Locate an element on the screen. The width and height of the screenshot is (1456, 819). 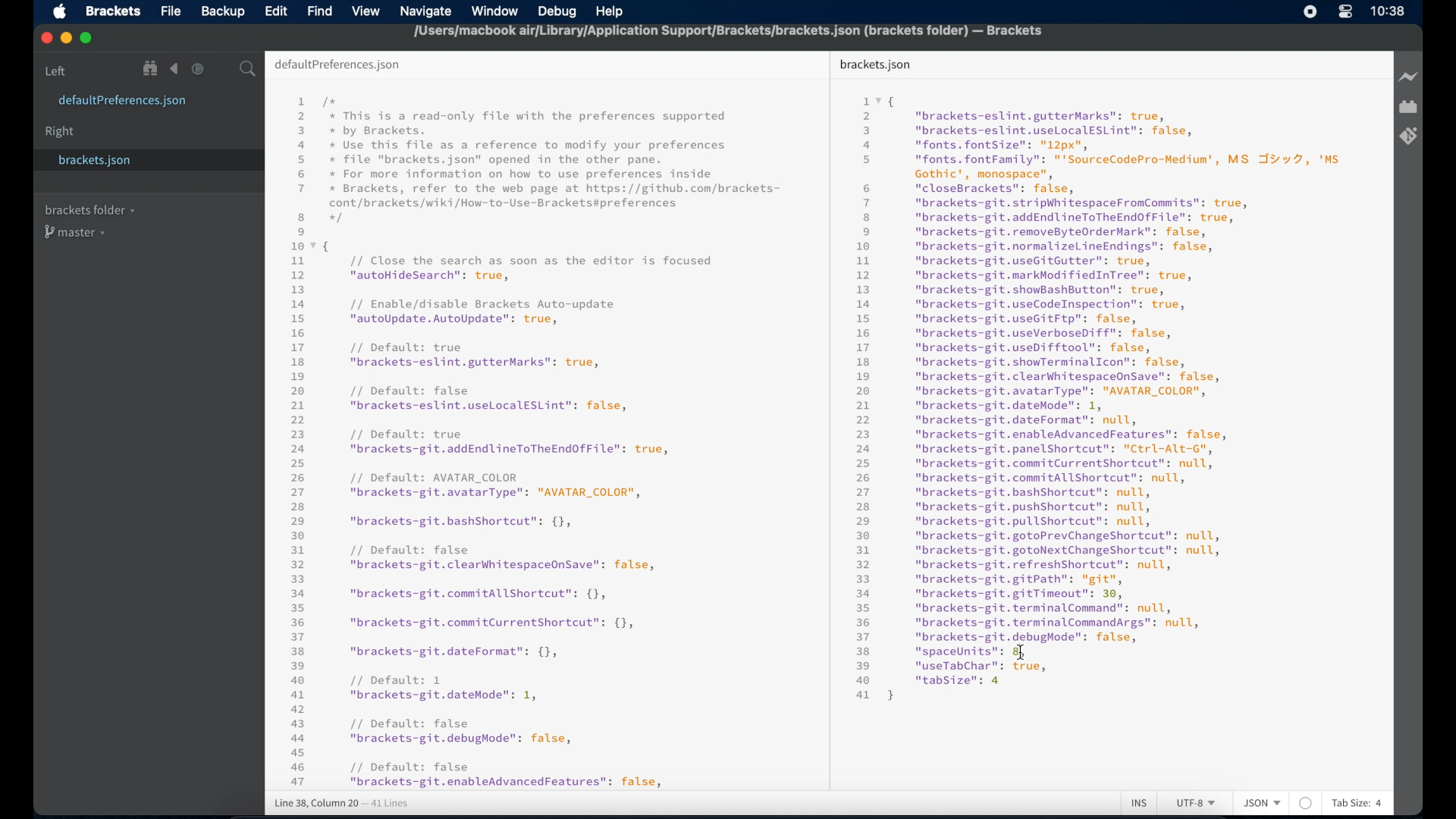
utf-8 is located at coordinates (1197, 799).